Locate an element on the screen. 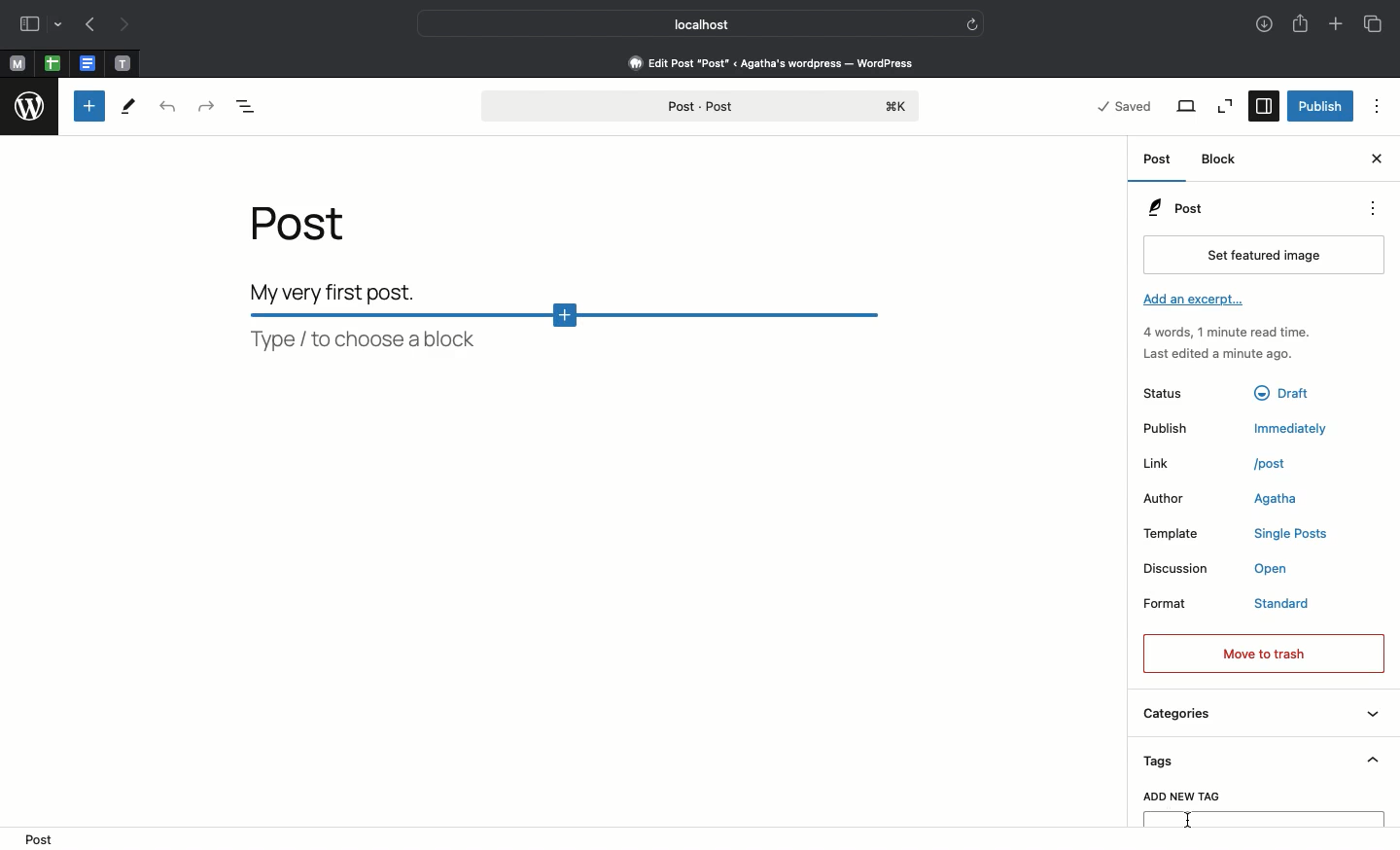 Image resolution: width=1400 pixels, height=850 pixels. Tags is located at coordinates (1265, 761).